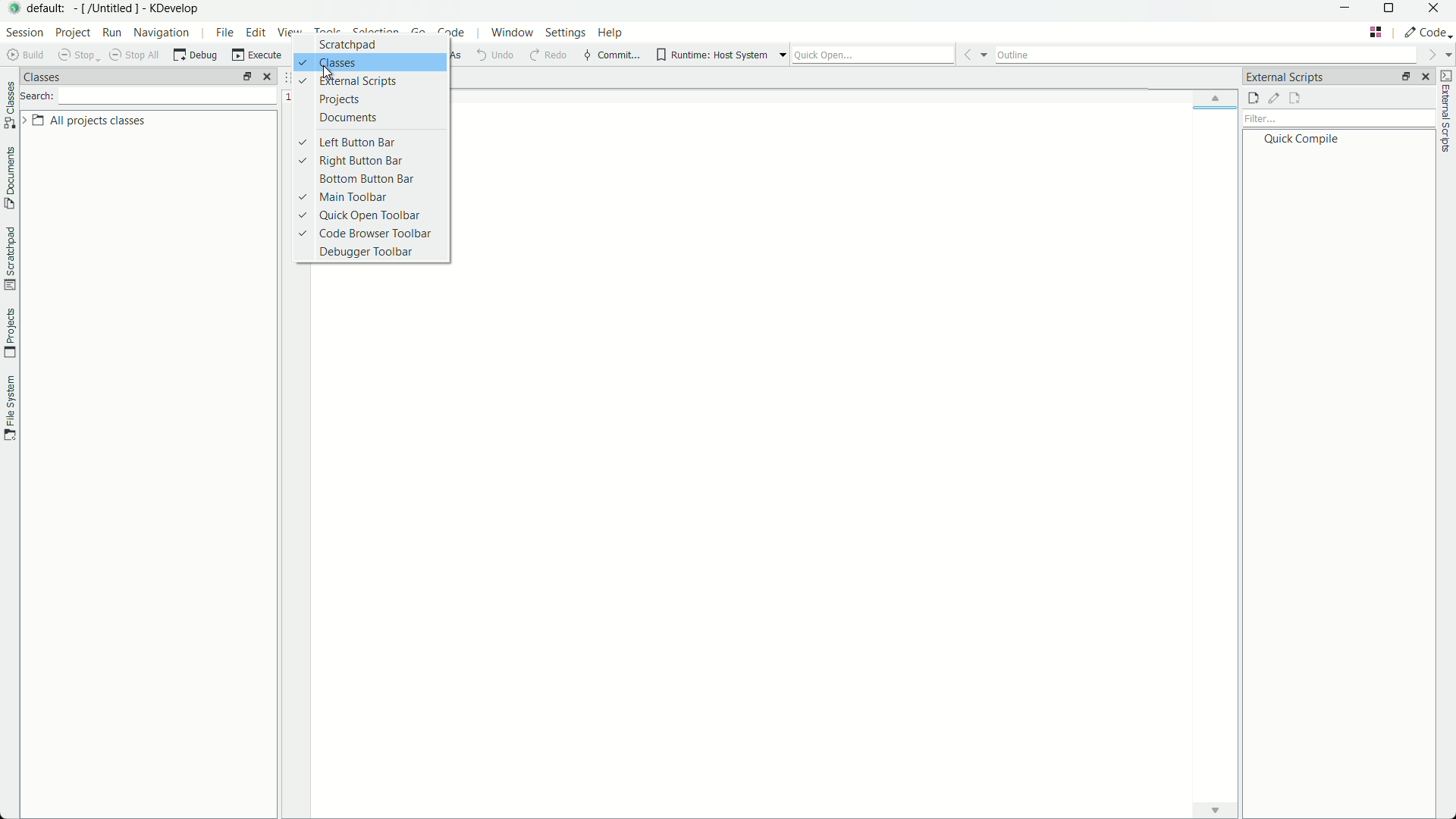 The height and width of the screenshot is (819, 1456). I want to click on main toolbar, so click(366, 197).